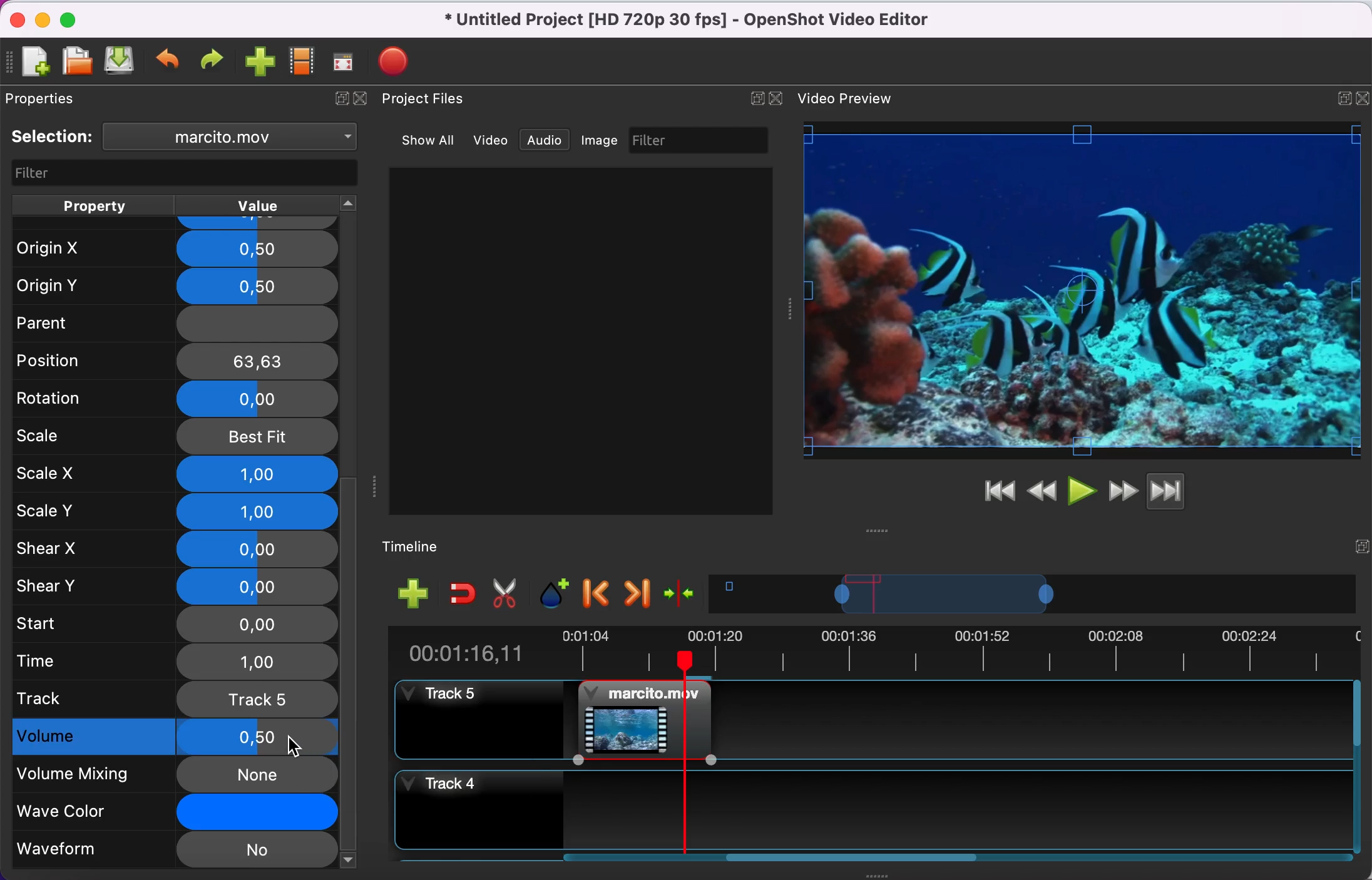 This screenshot has width=1372, height=880. What do you see at coordinates (459, 594) in the screenshot?
I see `enable snapping` at bounding box center [459, 594].